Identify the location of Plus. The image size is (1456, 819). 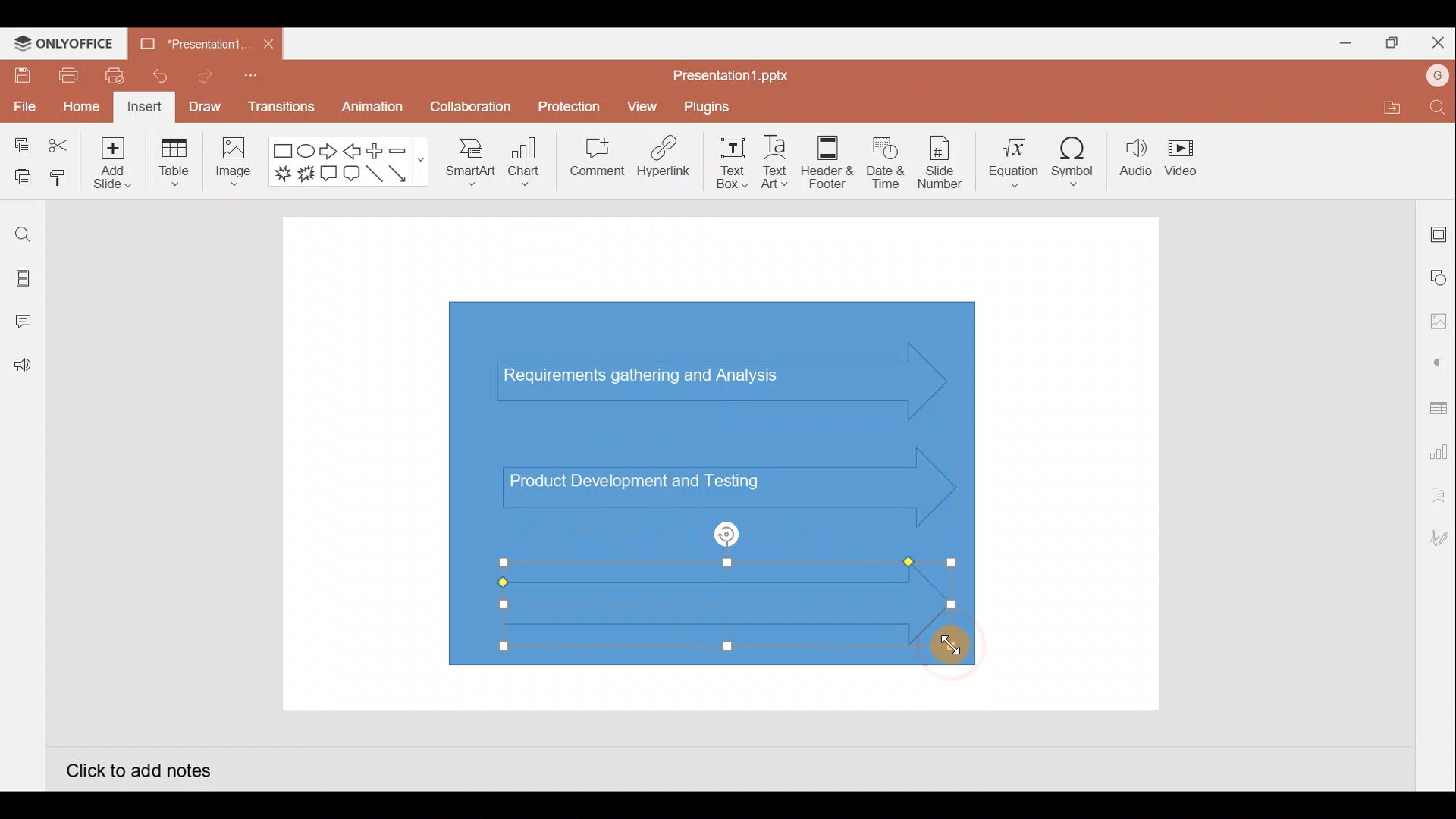
(378, 151).